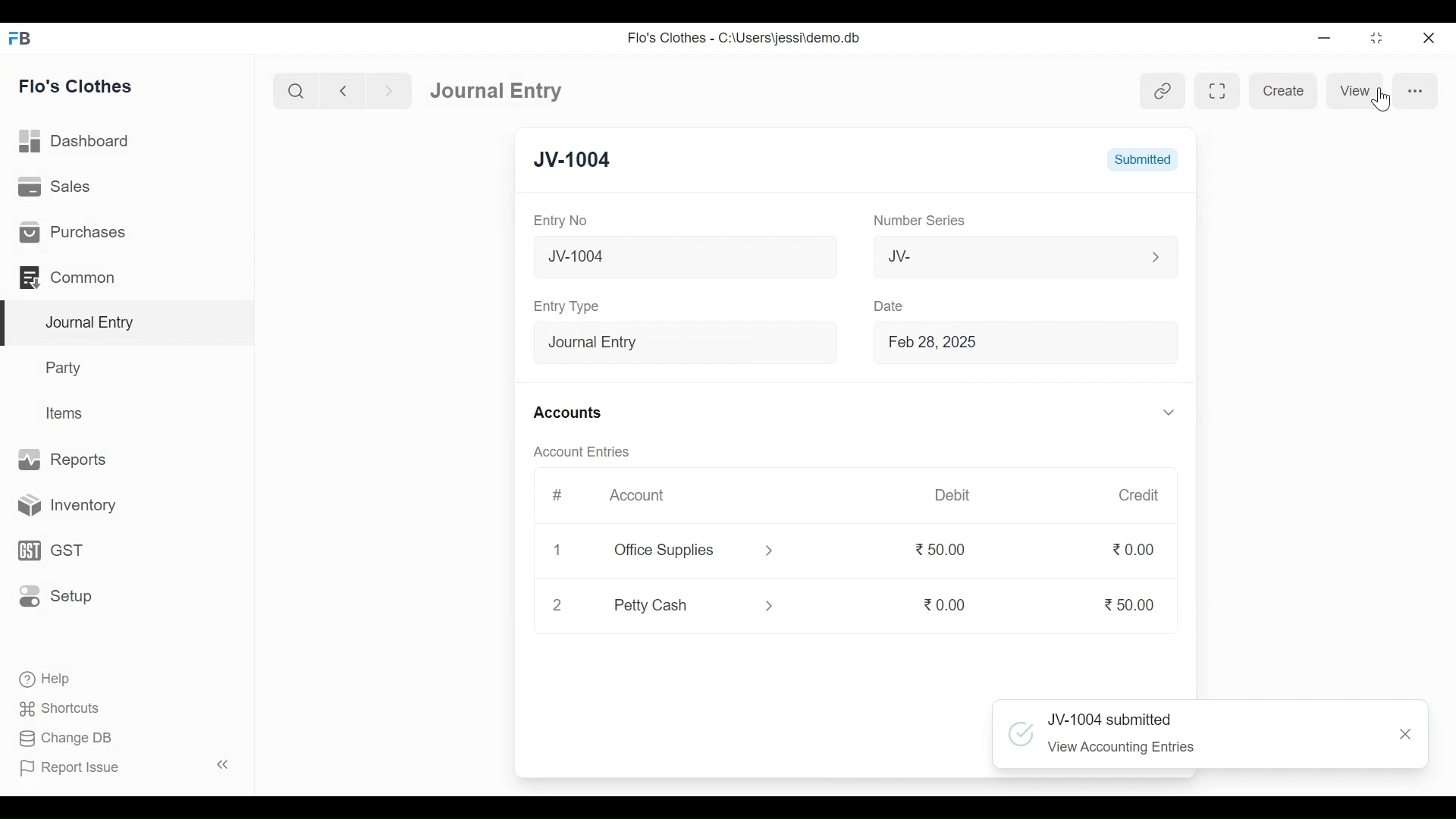  I want to click on Frappe Books Desktop Icon, so click(20, 39).